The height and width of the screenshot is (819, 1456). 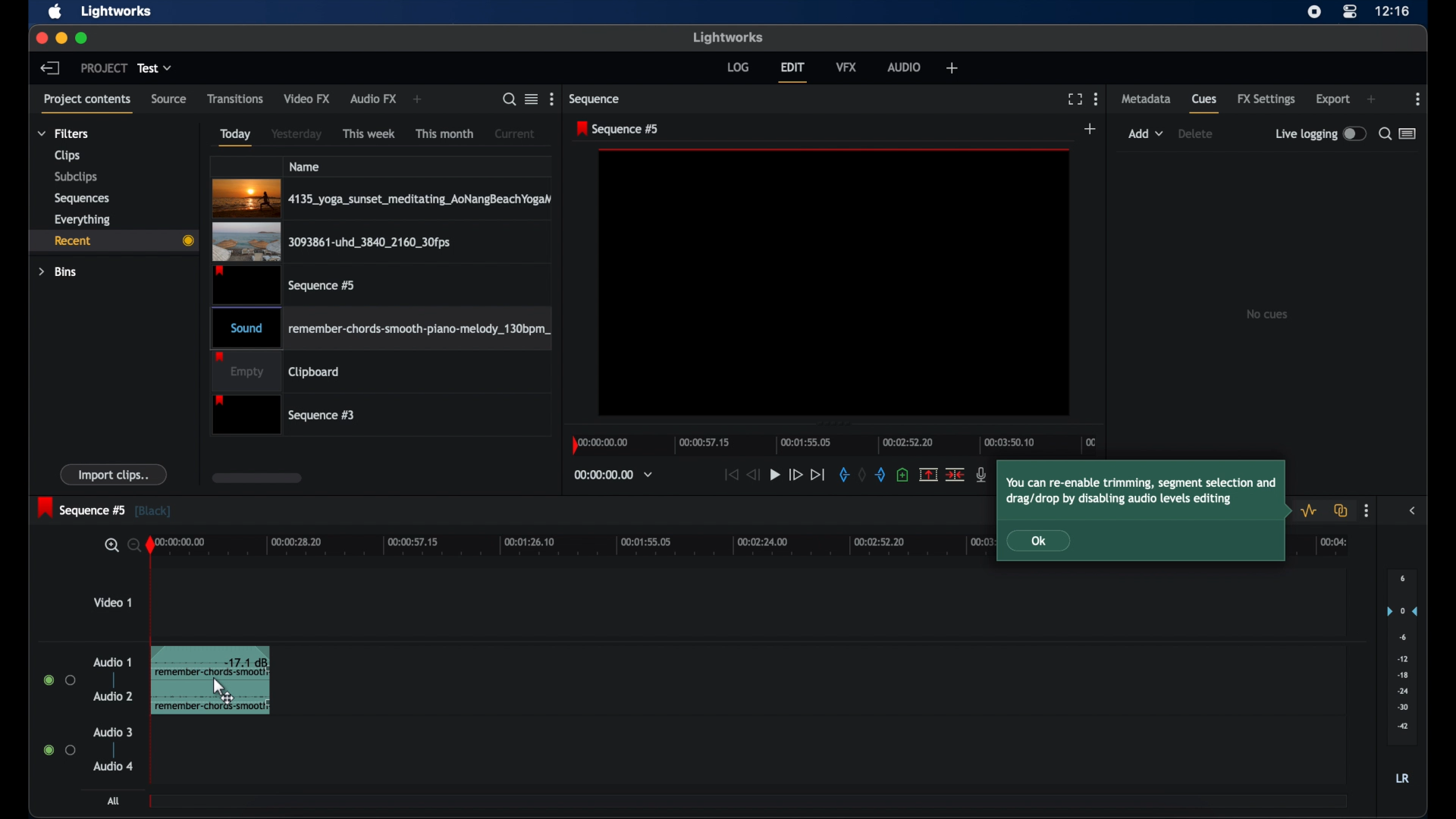 What do you see at coordinates (1143, 491) in the screenshot?
I see `tooltip` at bounding box center [1143, 491].